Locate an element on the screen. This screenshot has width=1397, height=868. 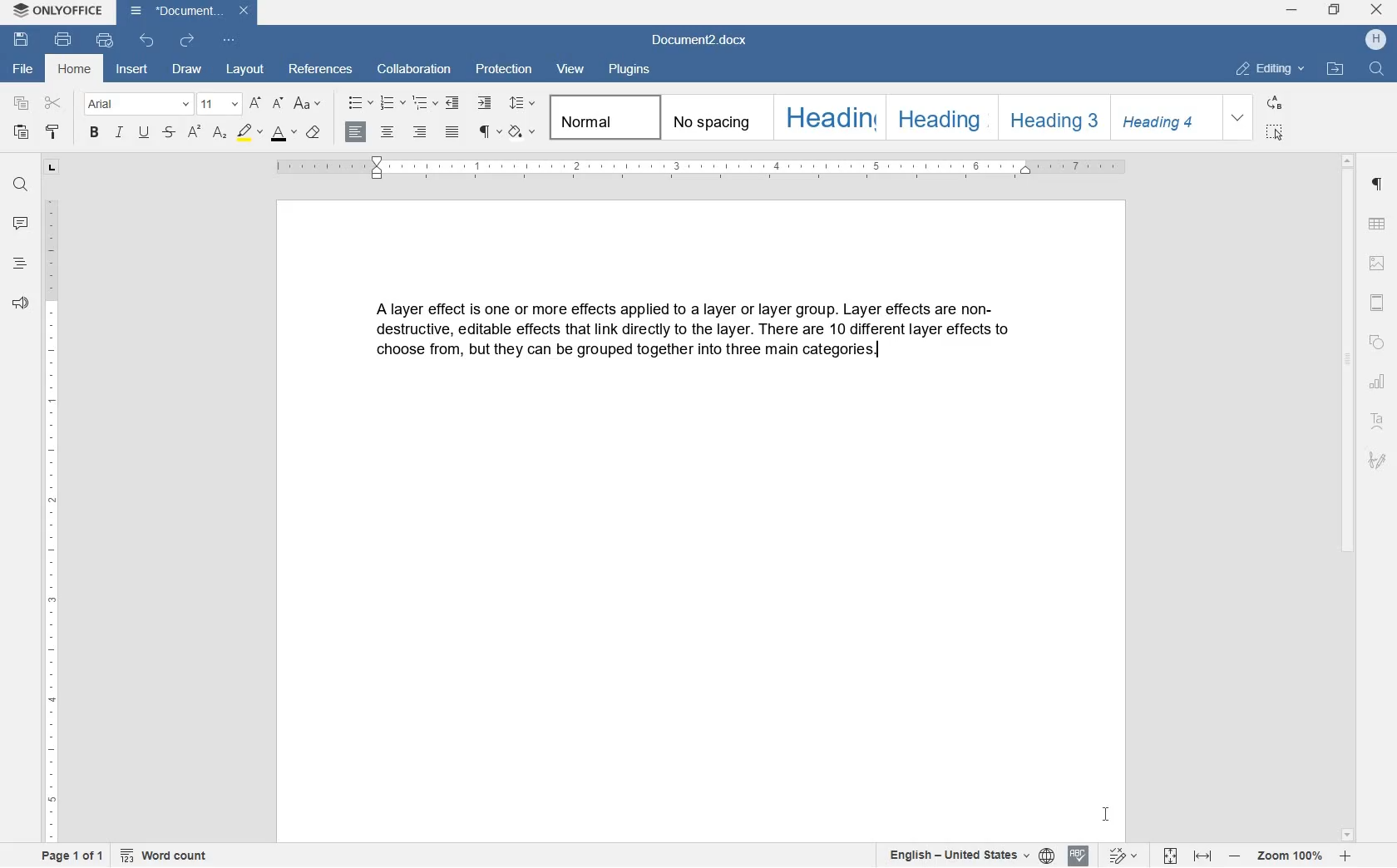
QUICK PRINT is located at coordinates (104, 40).